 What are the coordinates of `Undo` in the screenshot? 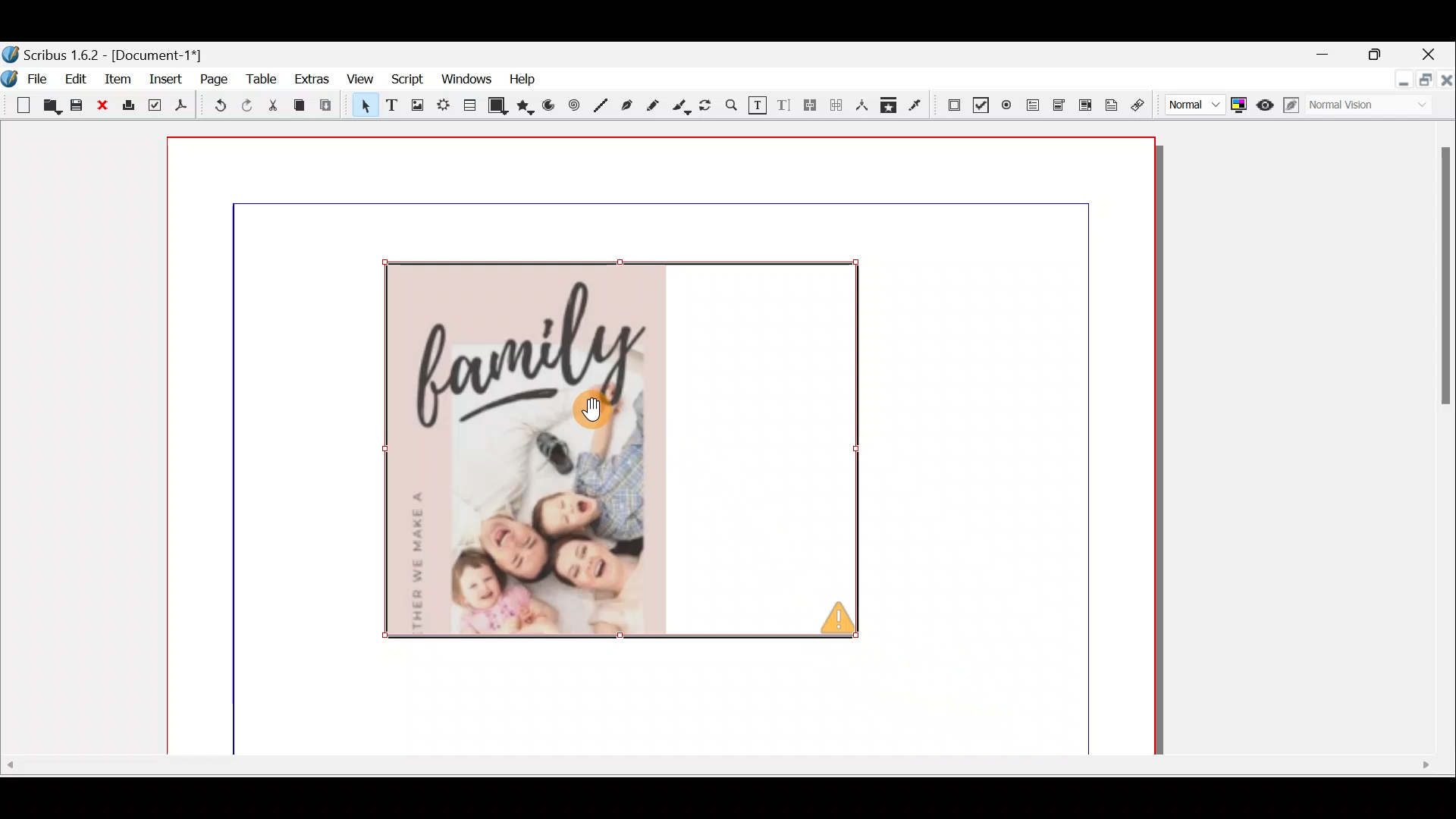 It's located at (213, 106).